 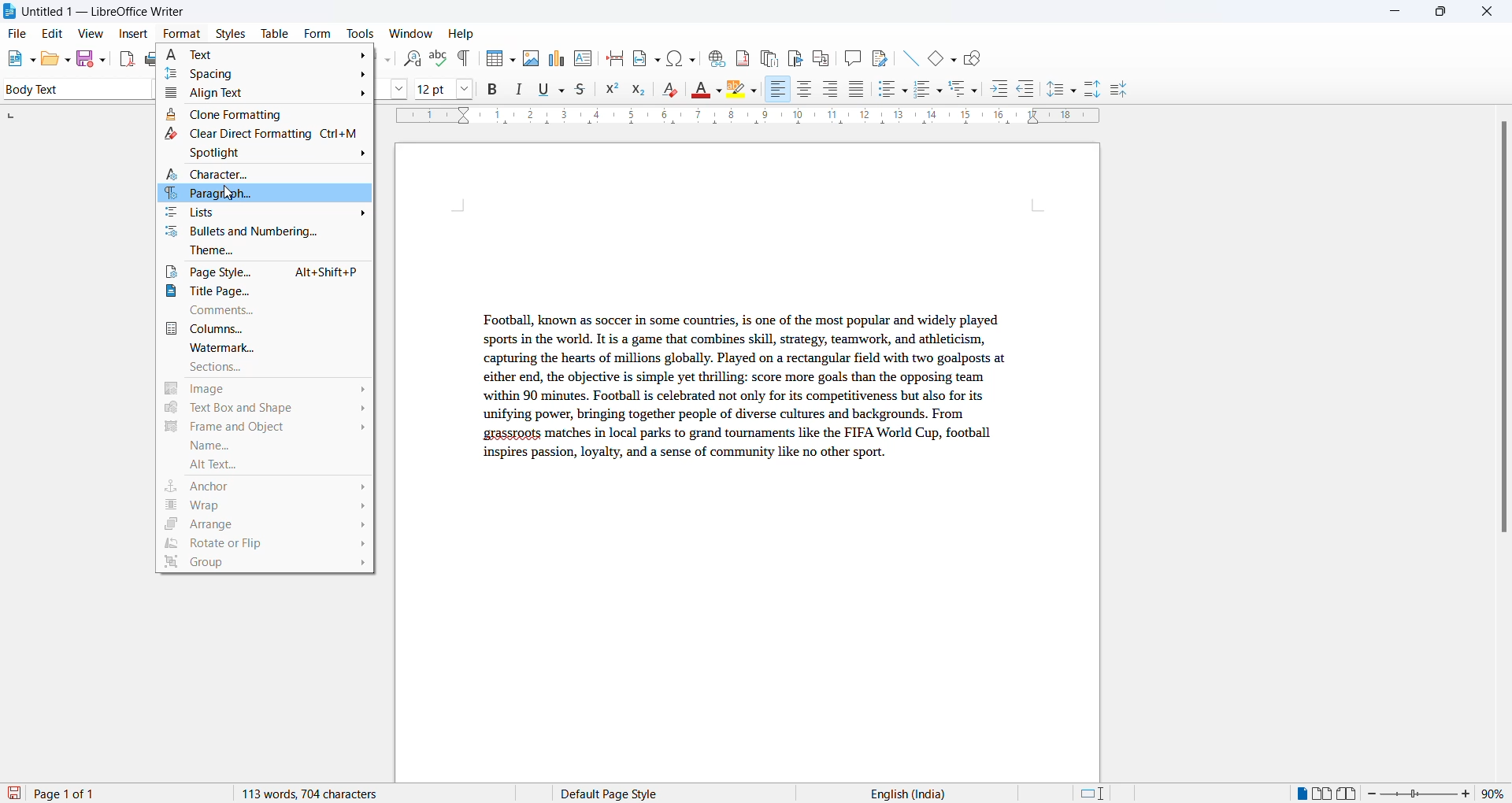 I want to click on new file options, so click(x=17, y=60).